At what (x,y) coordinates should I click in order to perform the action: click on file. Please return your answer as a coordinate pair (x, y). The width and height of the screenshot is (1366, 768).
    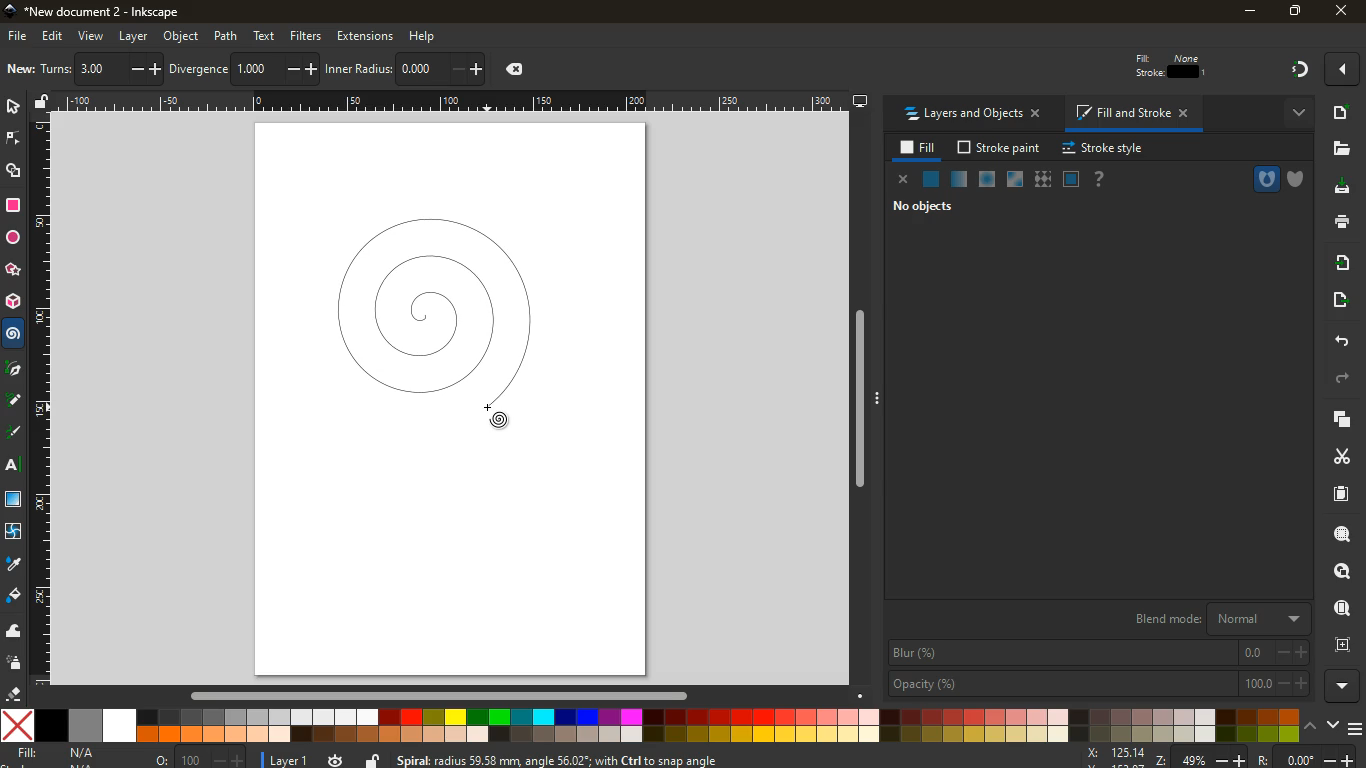
    Looking at the image, I should click on (1340, 150).